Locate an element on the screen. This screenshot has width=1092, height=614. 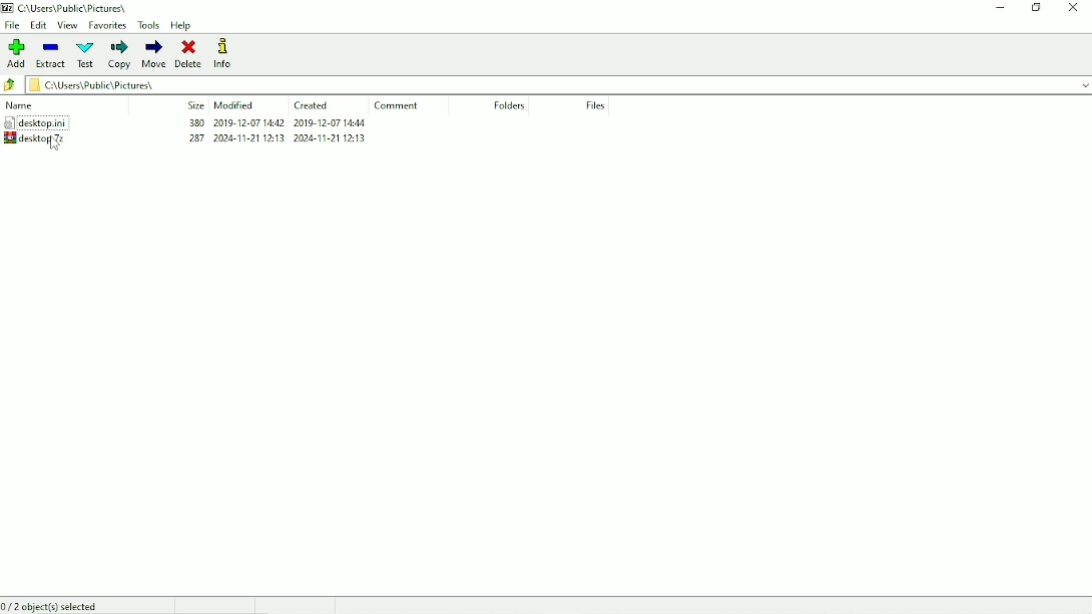
Folders is located at coordinates (510, 105).